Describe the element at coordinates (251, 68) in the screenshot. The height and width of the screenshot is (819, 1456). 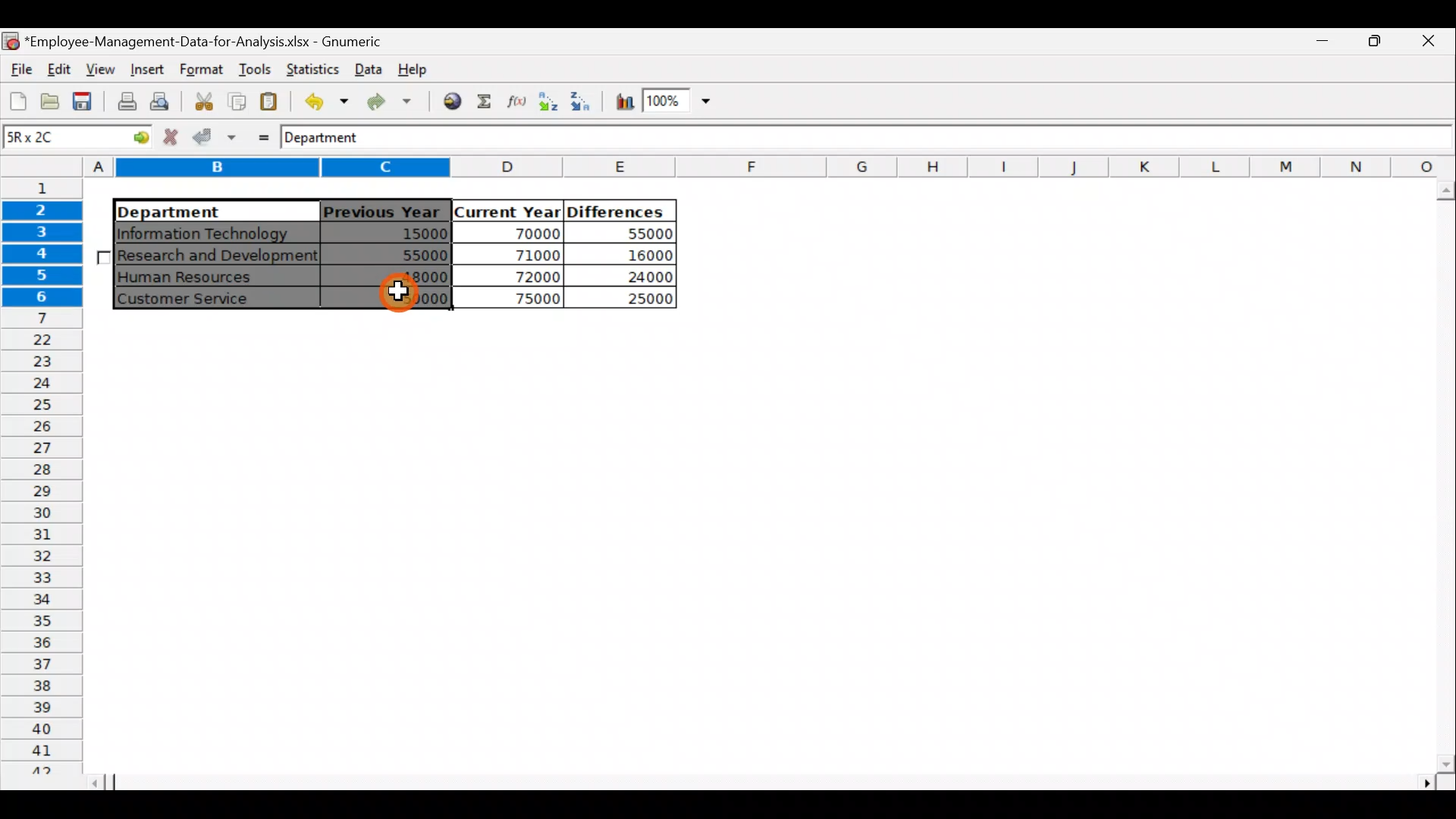
I see `Tools` at that location.